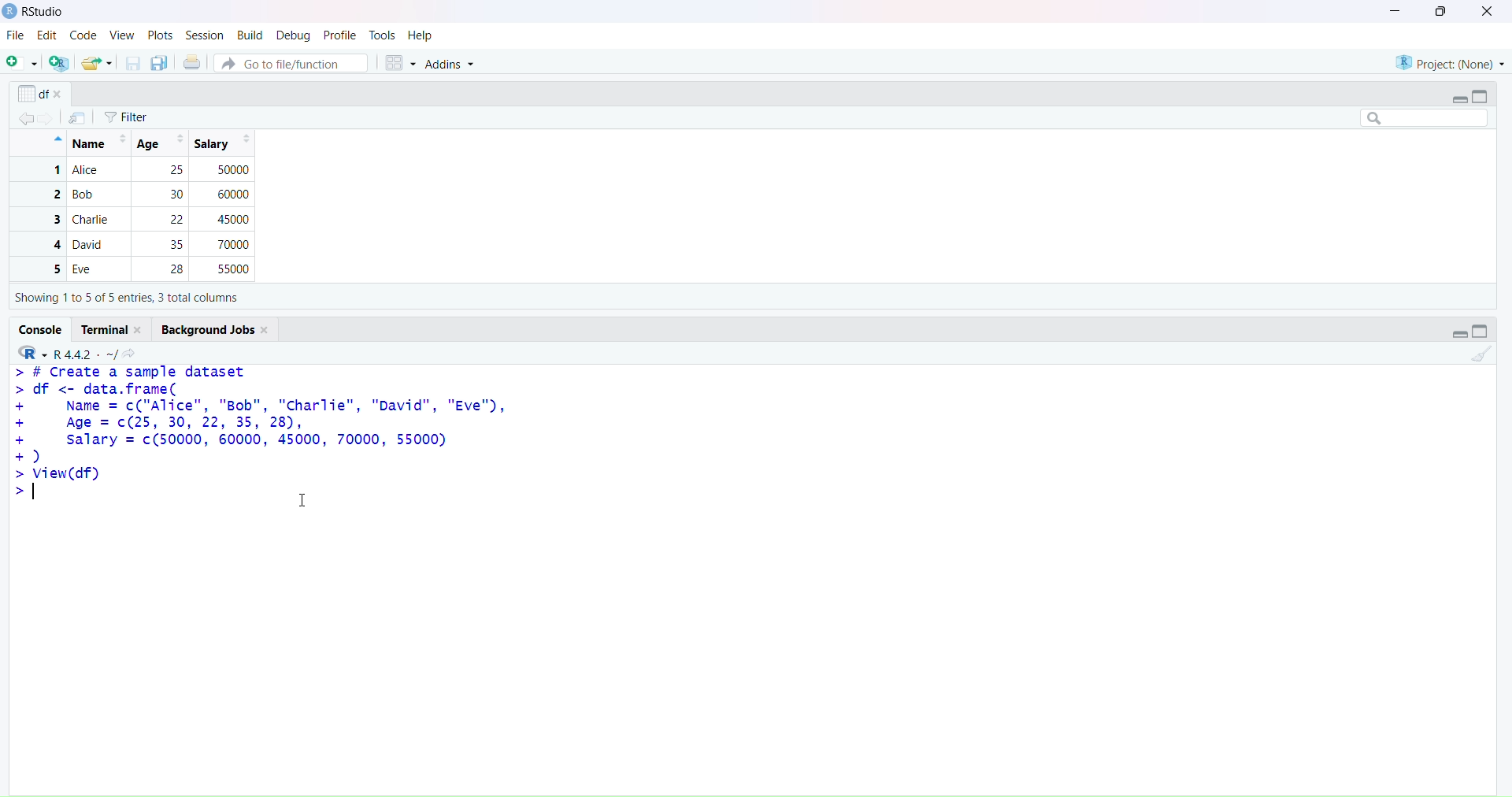  Describe the element at coordinates (16, 36) in the screenshot. I see `file` at that location.